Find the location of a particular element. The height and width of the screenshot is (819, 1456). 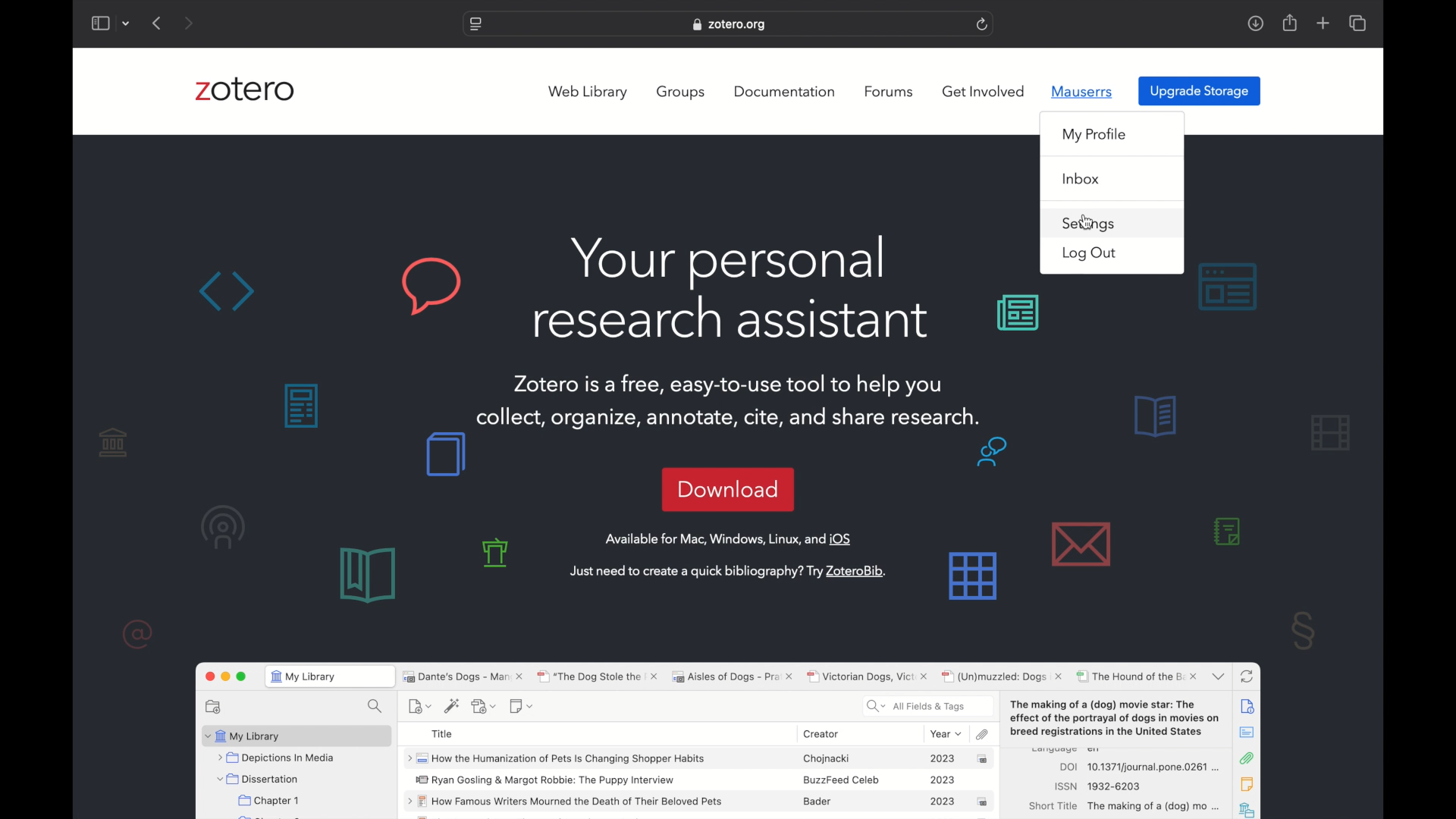

web library is located at coordinates (588, 93).